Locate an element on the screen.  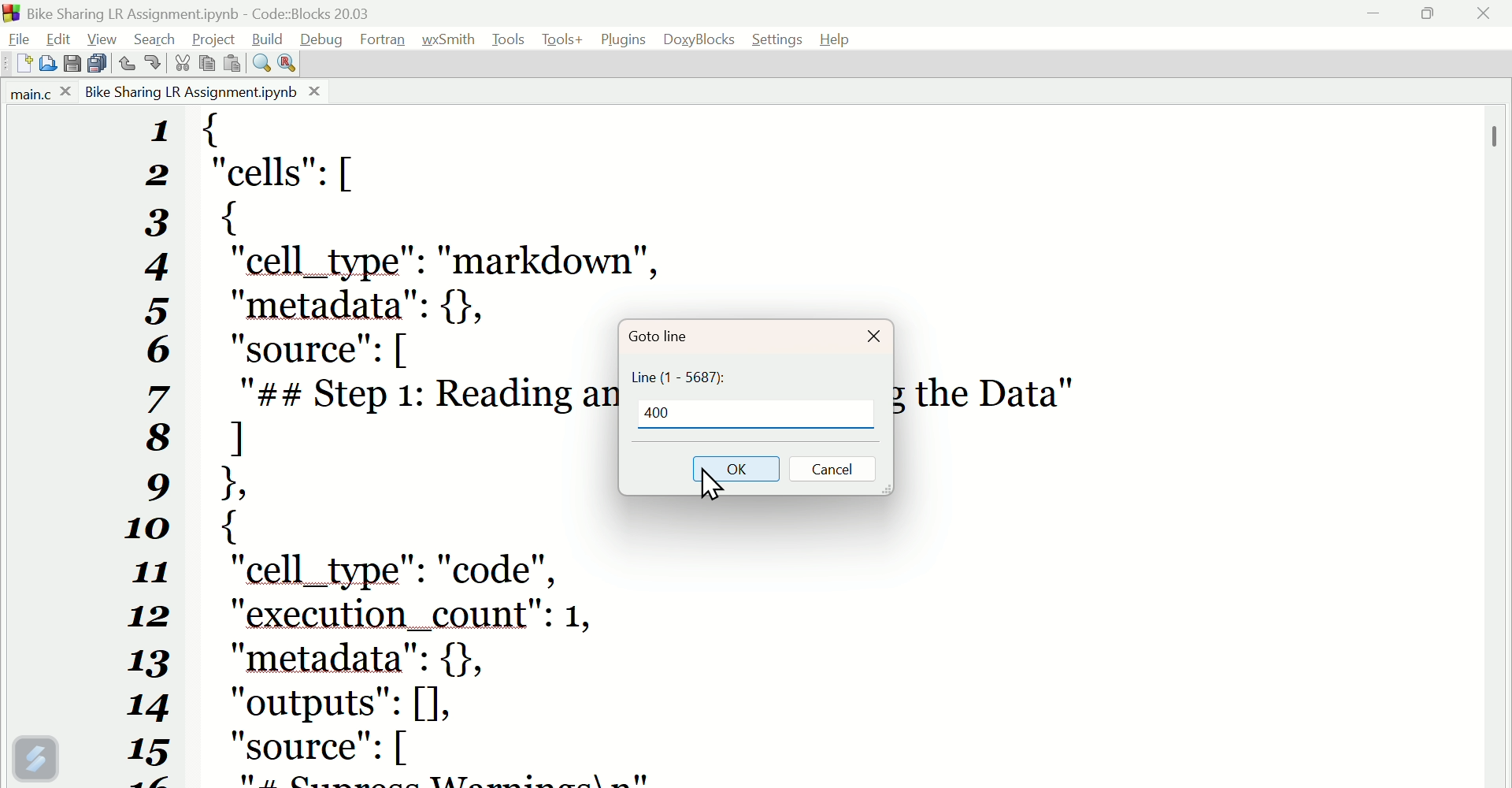
Scrollbar is located at coordinates (1496, 135).